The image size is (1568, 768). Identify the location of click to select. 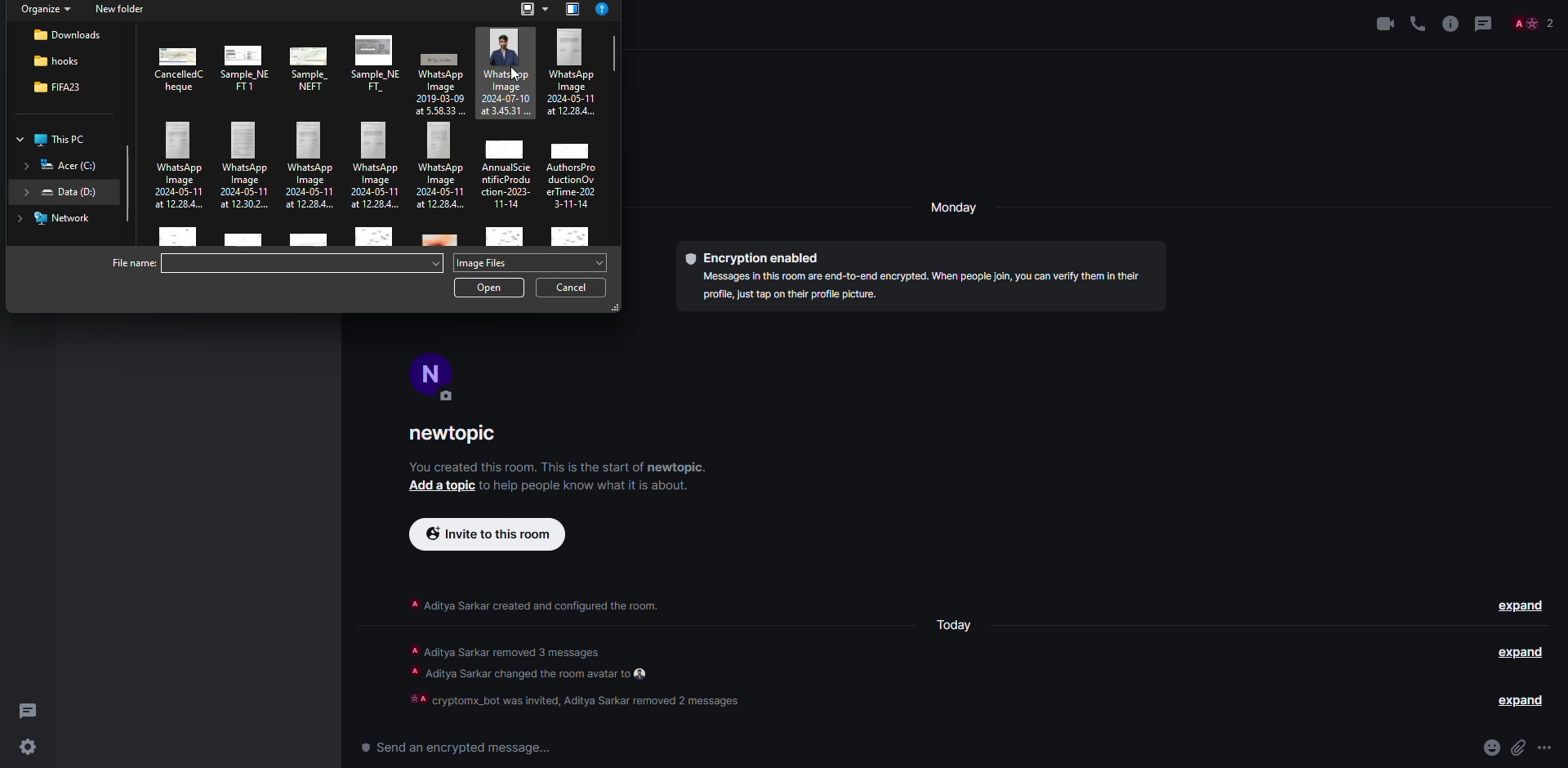
(175, 238).